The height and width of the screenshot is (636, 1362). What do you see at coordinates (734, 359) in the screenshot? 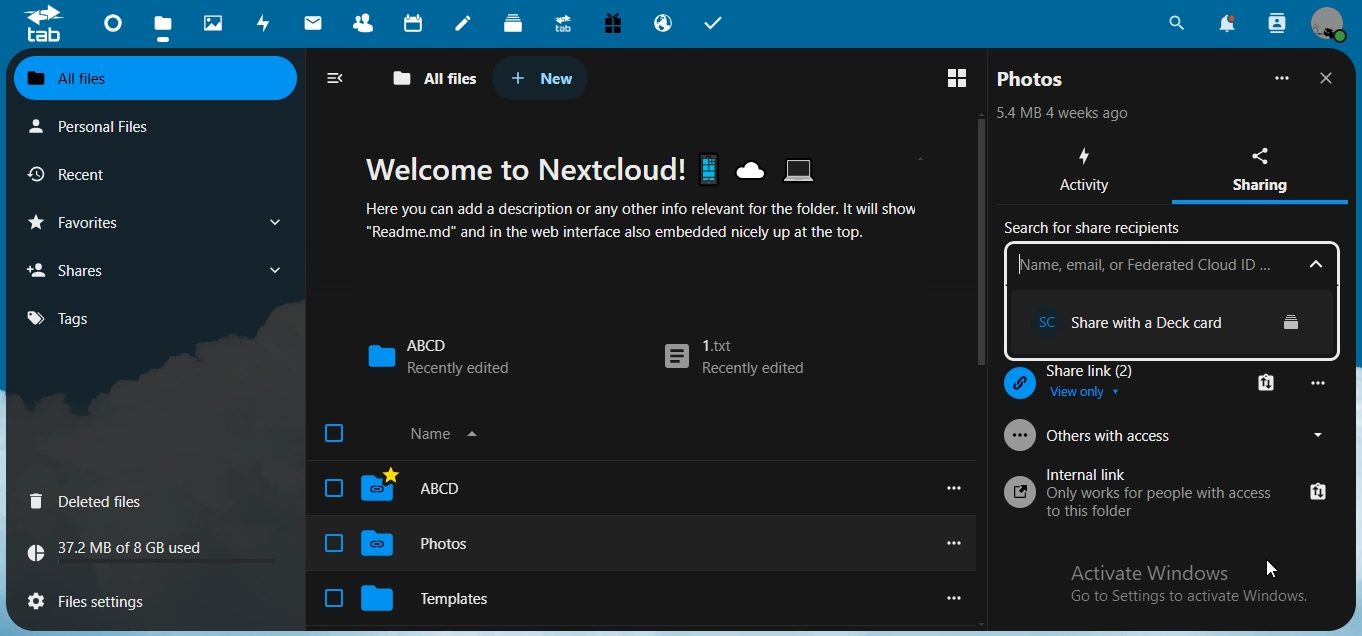
I see `1.txt` at bounding box center [734, 359].